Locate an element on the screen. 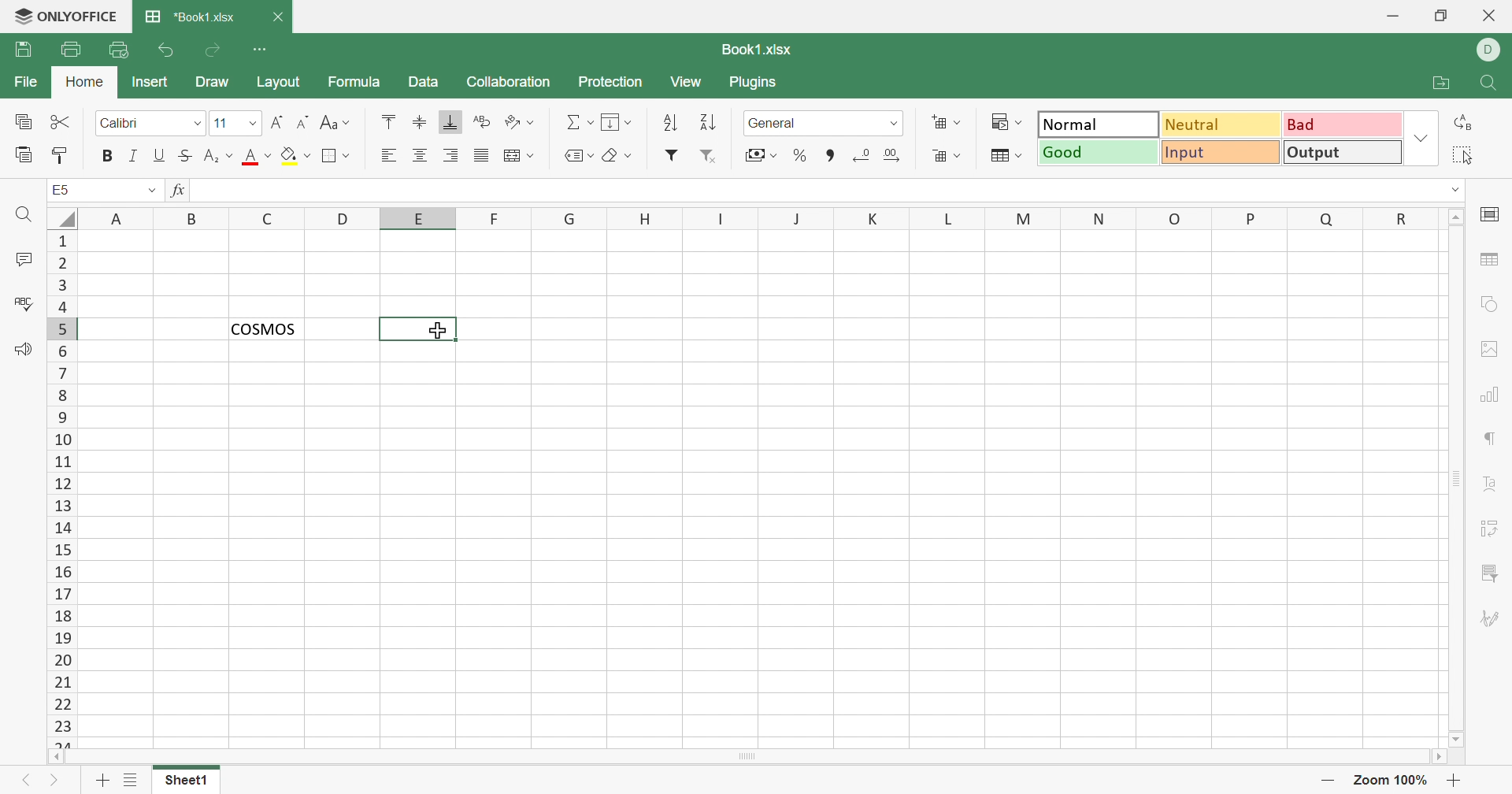 This screenshot has width=1512, height=794. Open file location is located at coordinates (1442, 83).